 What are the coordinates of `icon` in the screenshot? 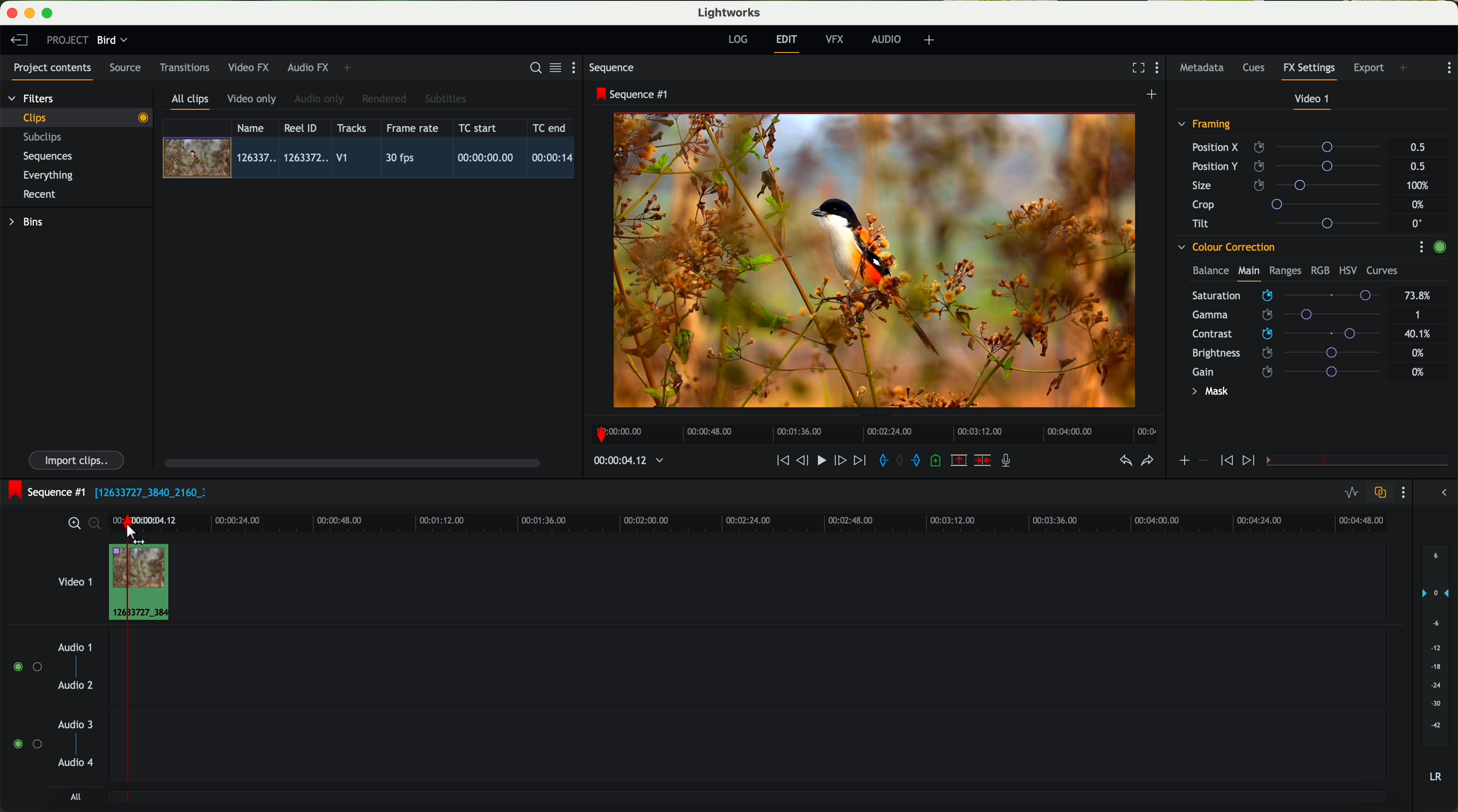 It's located at (1203, 461).